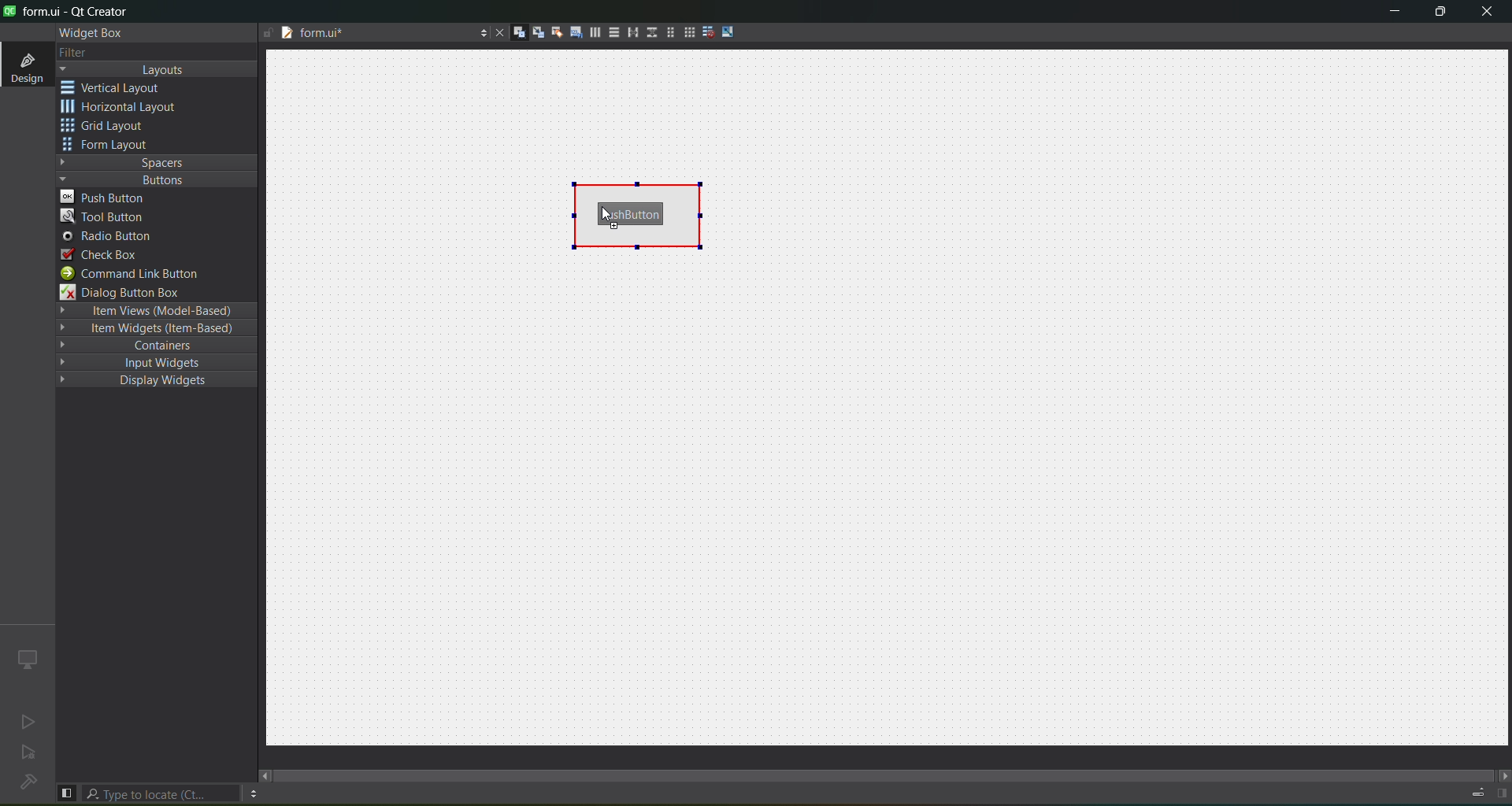 This screenshot has width=1512, height=806. I want to click on design, so click(25, 66).